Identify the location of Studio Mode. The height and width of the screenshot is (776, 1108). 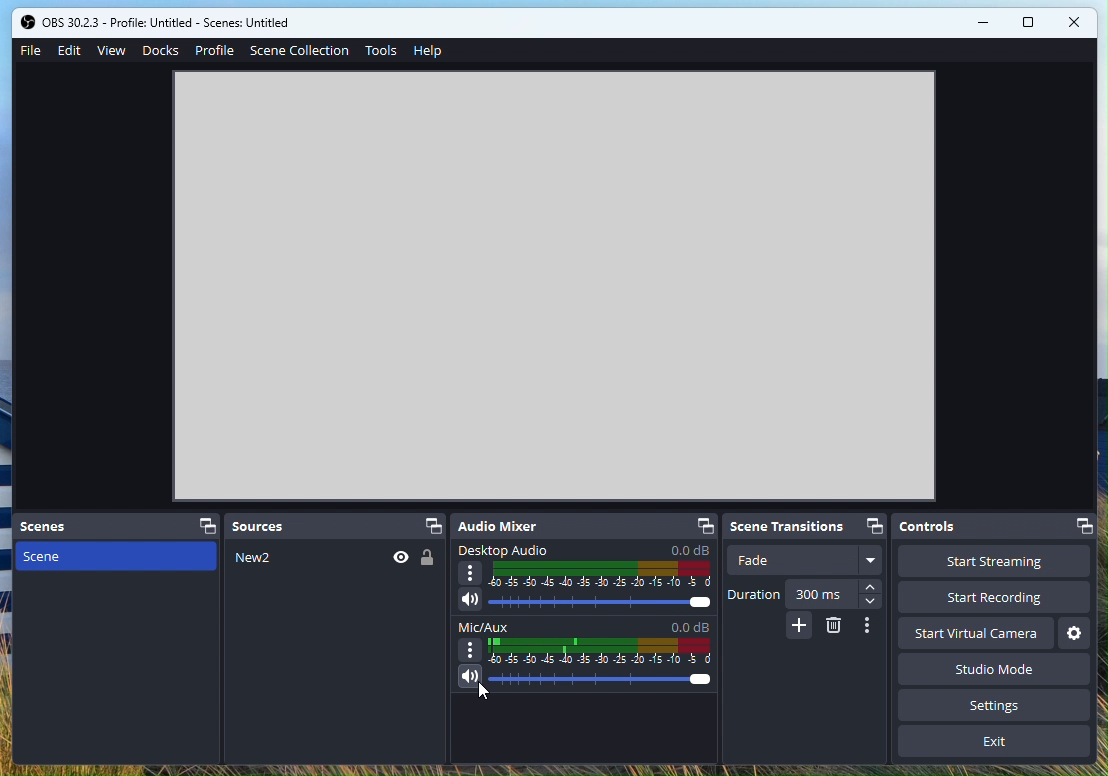
(991, 669).